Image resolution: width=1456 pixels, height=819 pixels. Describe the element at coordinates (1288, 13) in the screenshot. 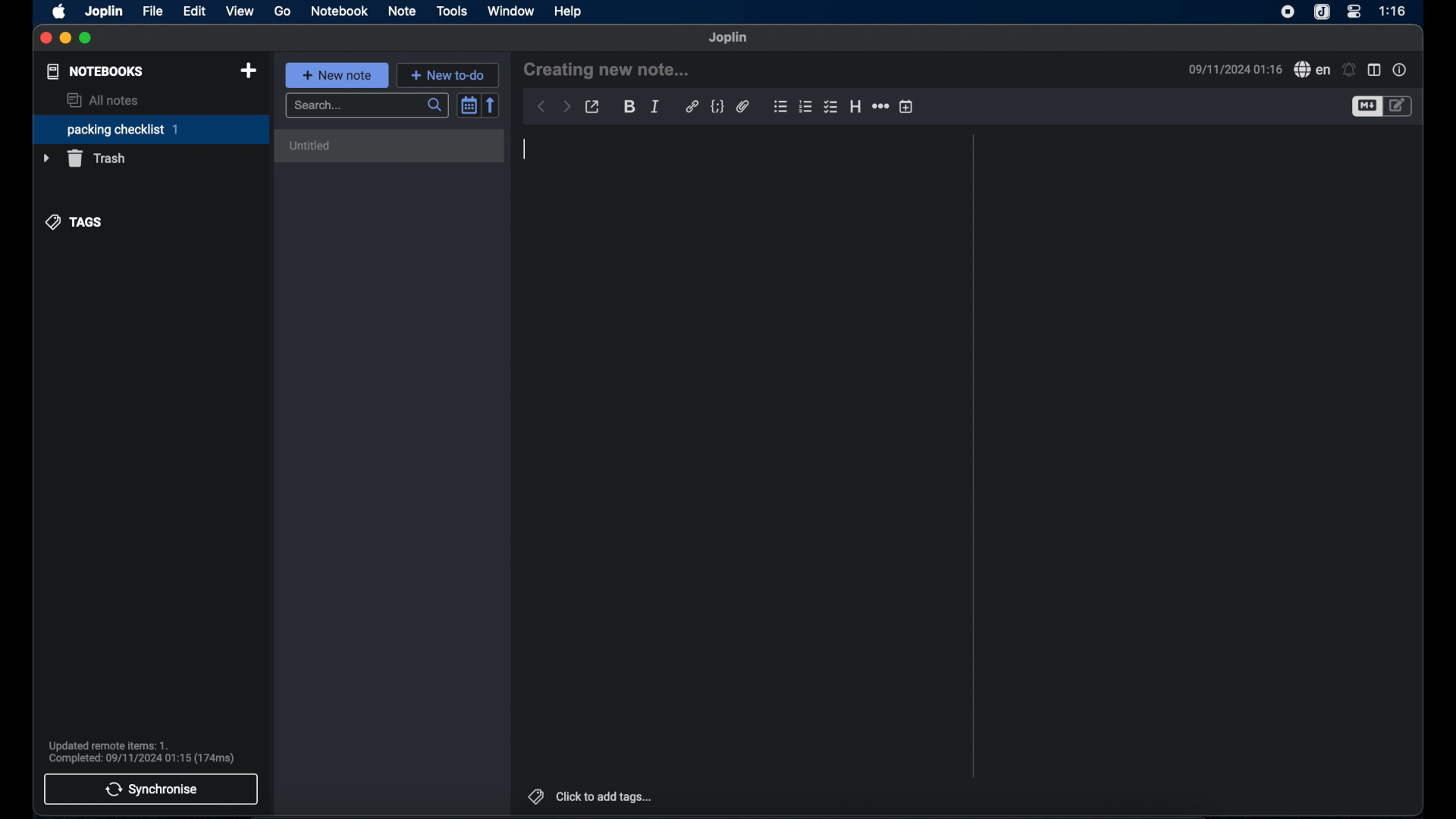

I see `screen recorder icon` at that location.